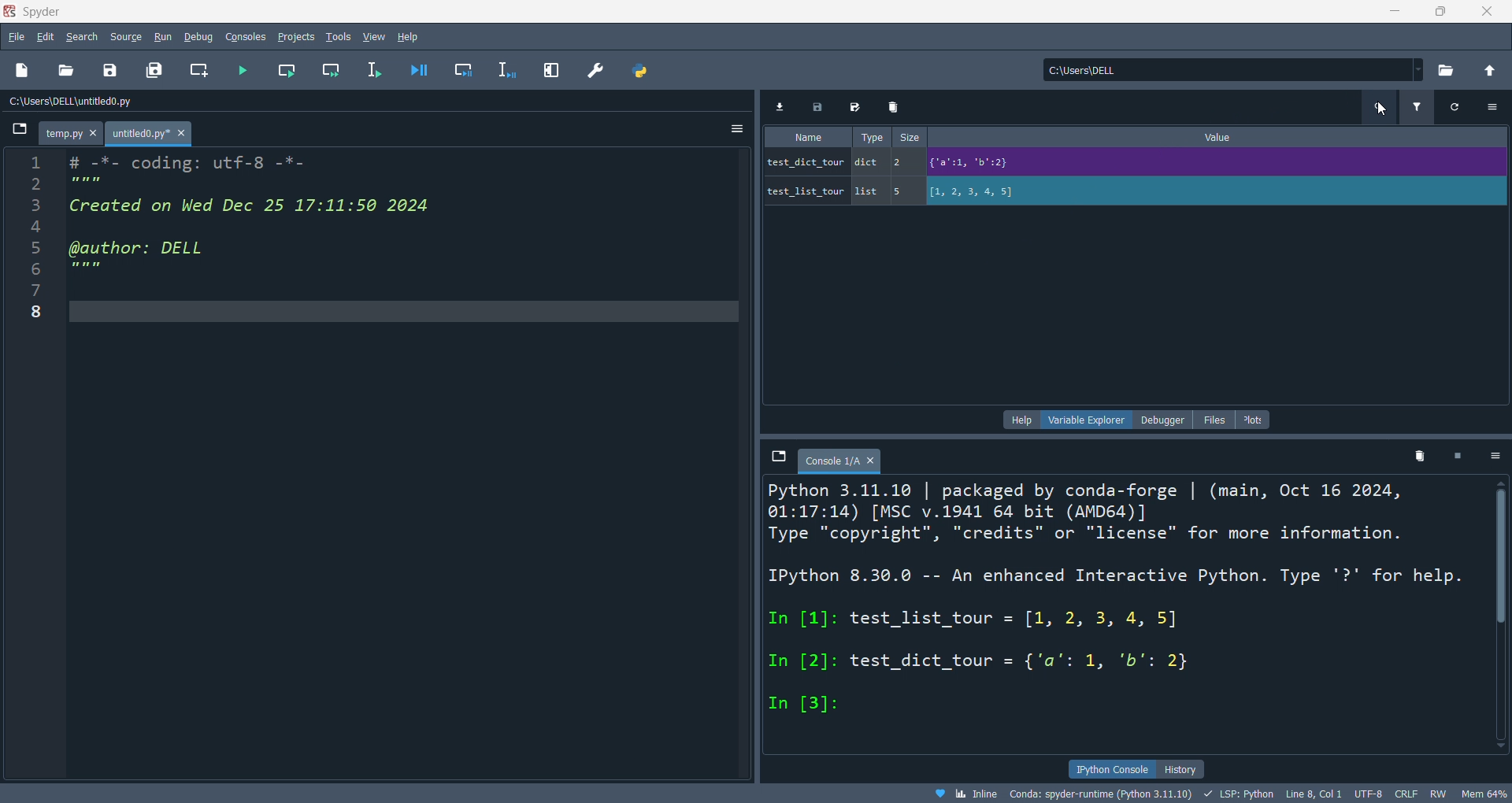 The height and width of the screenshot is (803, 1512). Describe the element at coordinates (1384, 13) in the screenshot. I see `minimize` at that location.